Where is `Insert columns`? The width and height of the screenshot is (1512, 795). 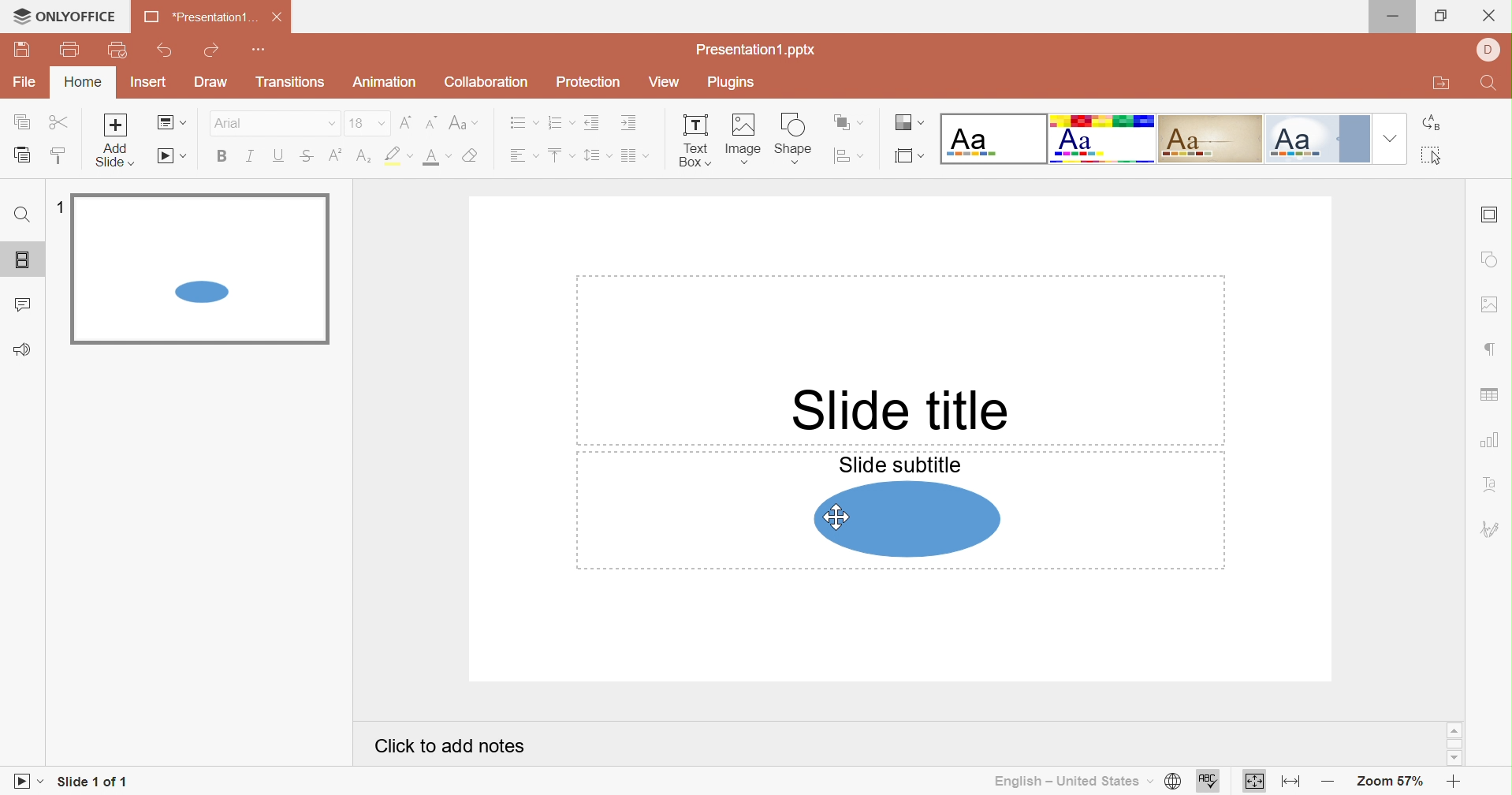
Insert columns is located at coordinates (636, 156).